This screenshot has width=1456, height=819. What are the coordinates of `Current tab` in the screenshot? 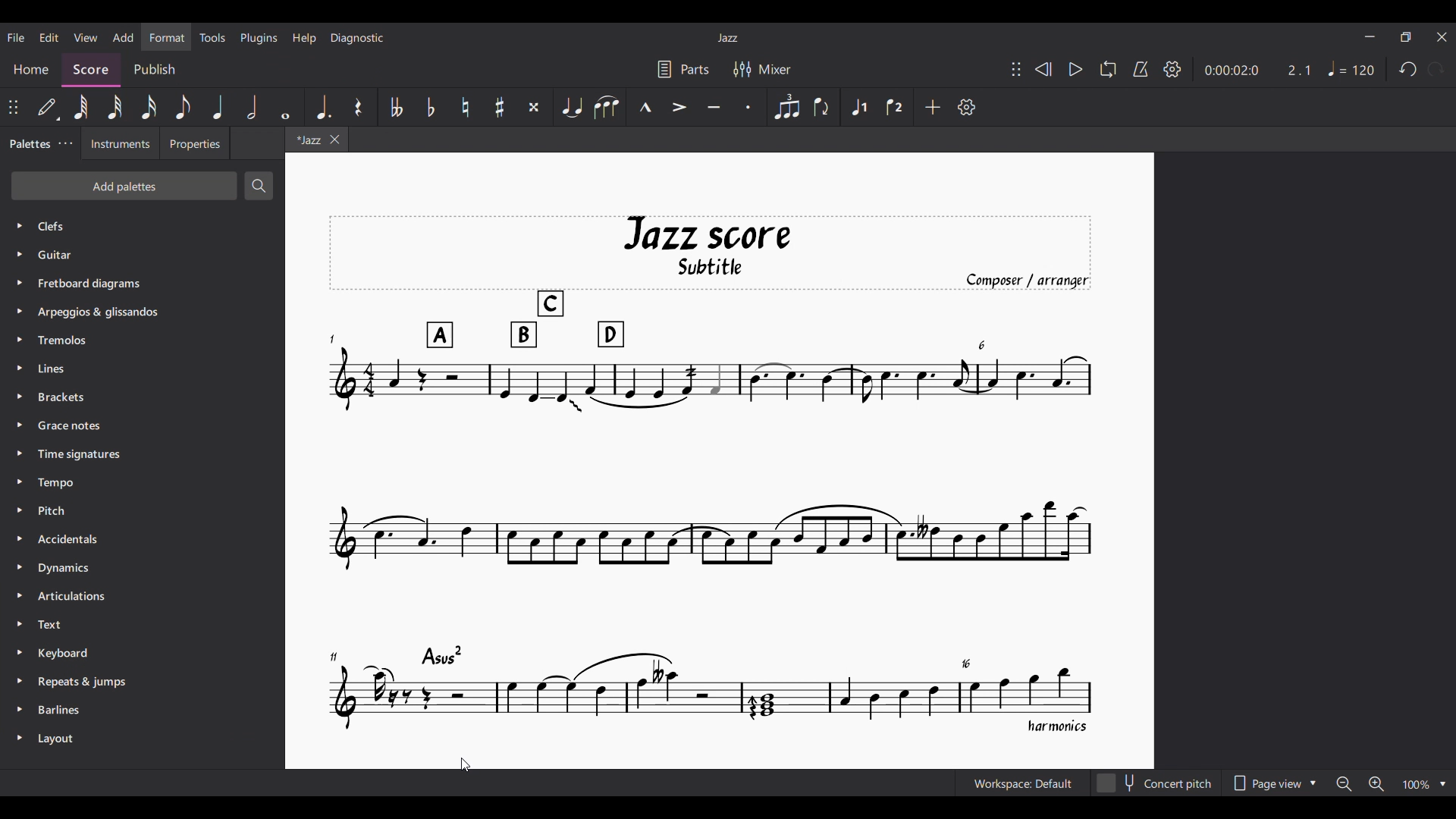 It's located at (305, 139).